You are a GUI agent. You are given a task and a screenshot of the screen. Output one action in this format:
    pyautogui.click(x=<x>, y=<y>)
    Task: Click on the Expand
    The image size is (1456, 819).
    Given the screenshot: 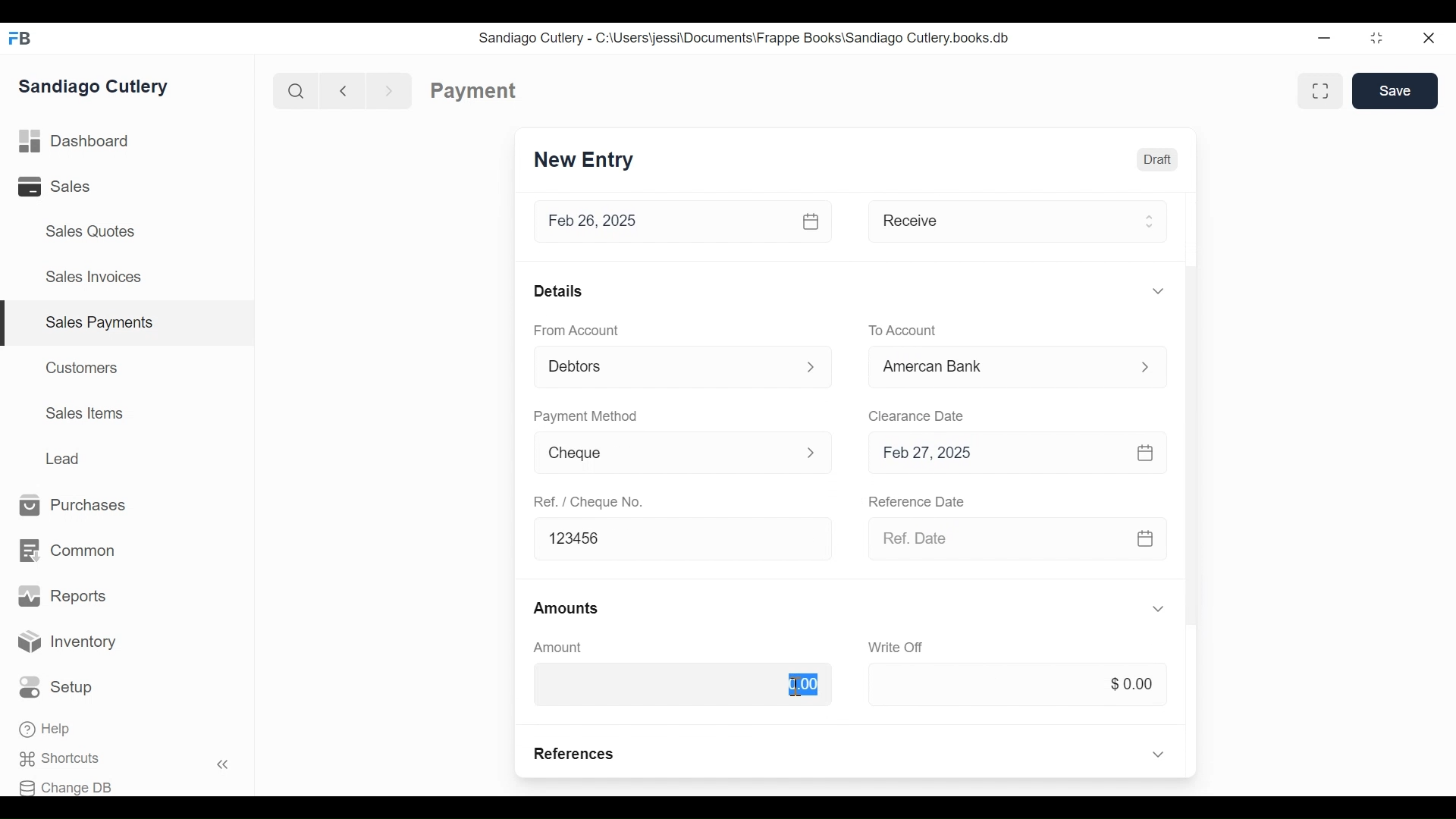 What is the action you would take?
    pyautogui.click(x=1148, y=221)
    